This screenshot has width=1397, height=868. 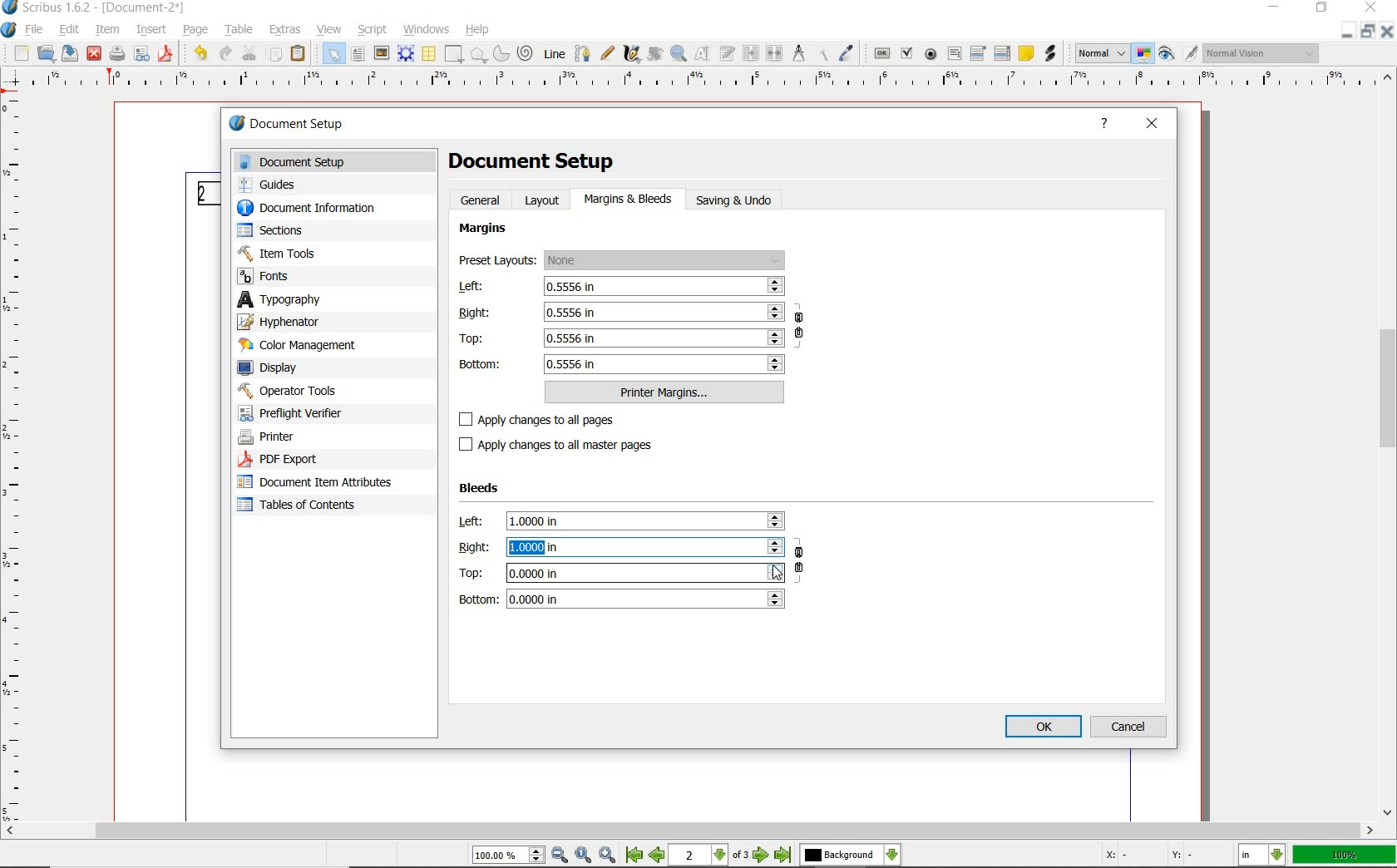 I want to click on Edit in Preview Mode, so click(x=1190, y=56).